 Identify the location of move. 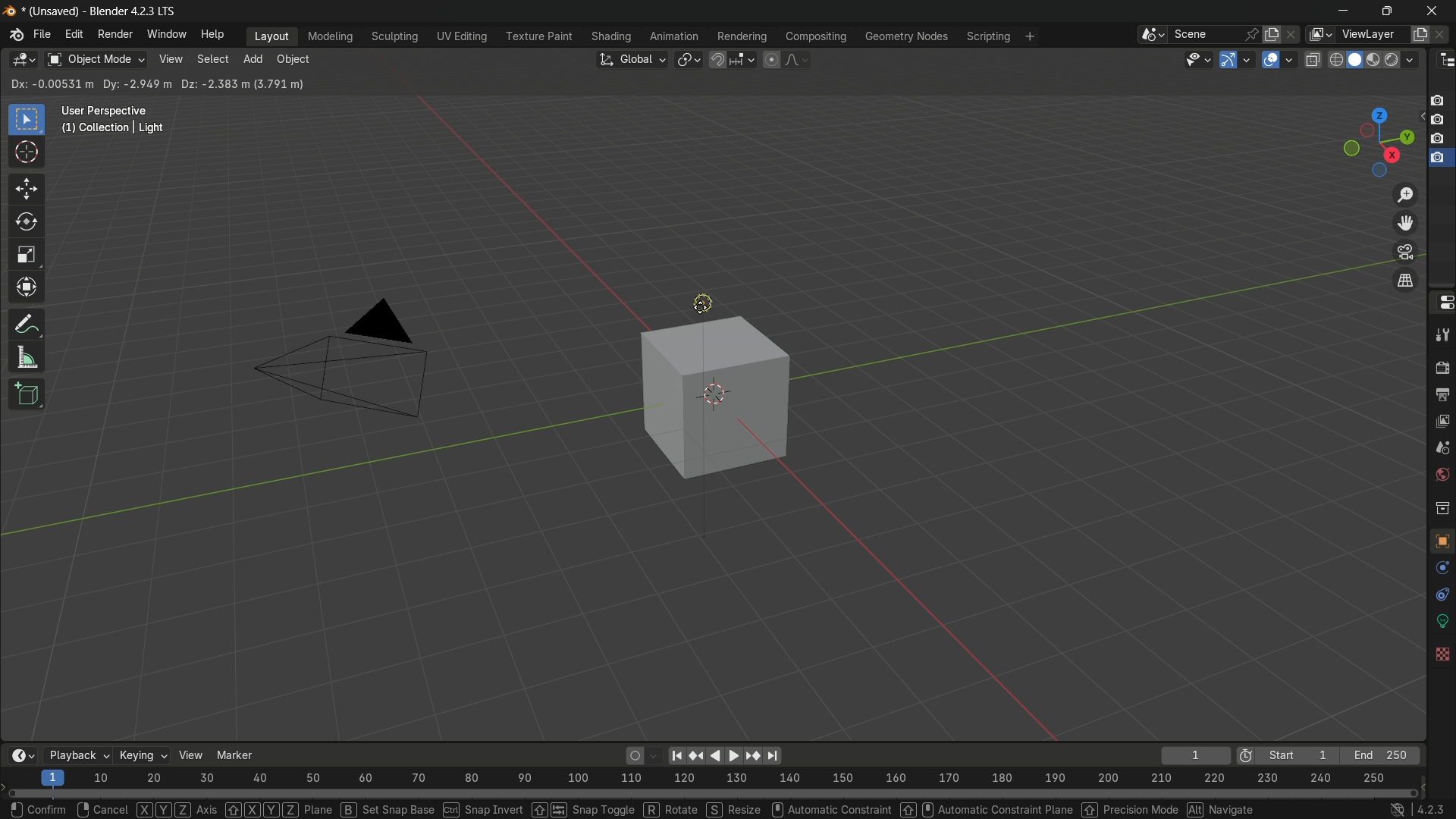
(28, 189).